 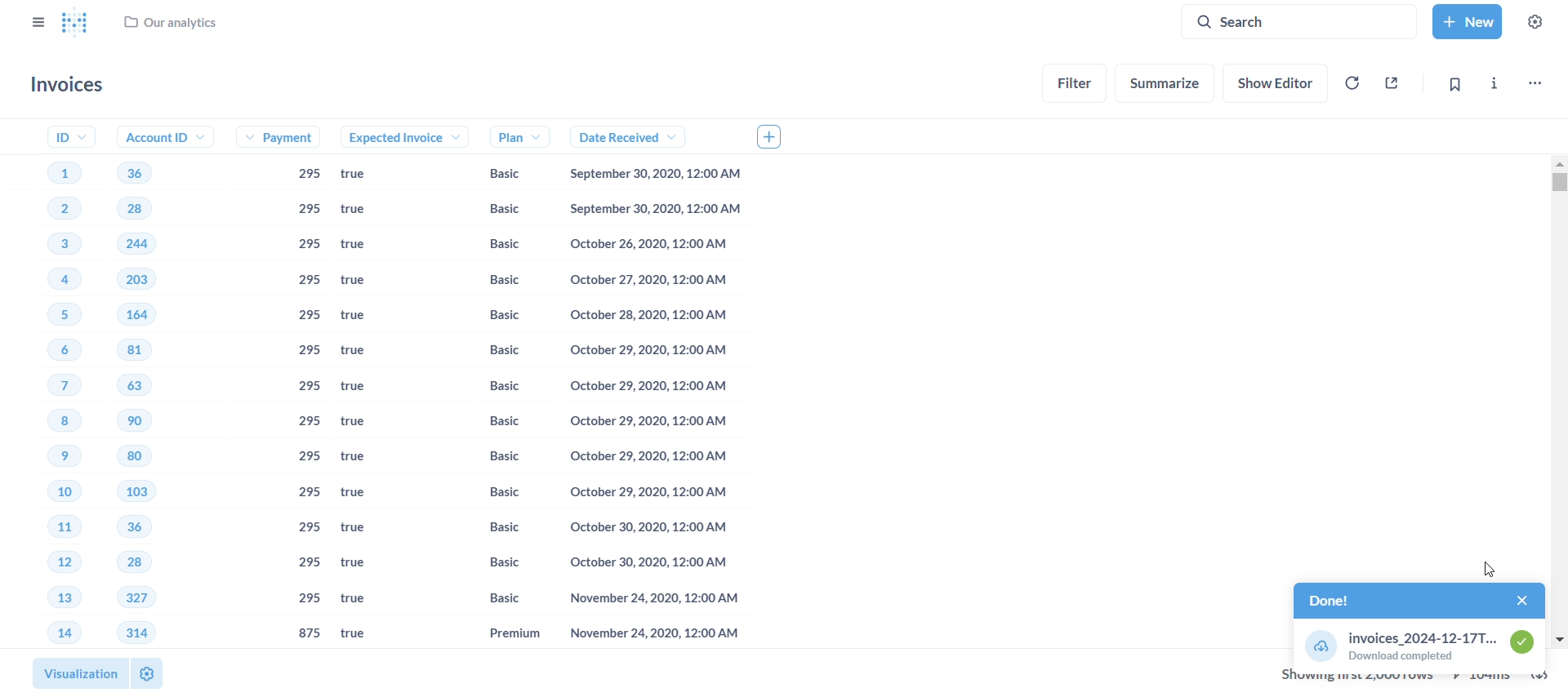 I want to click on ID, so click(x=62, y=136).